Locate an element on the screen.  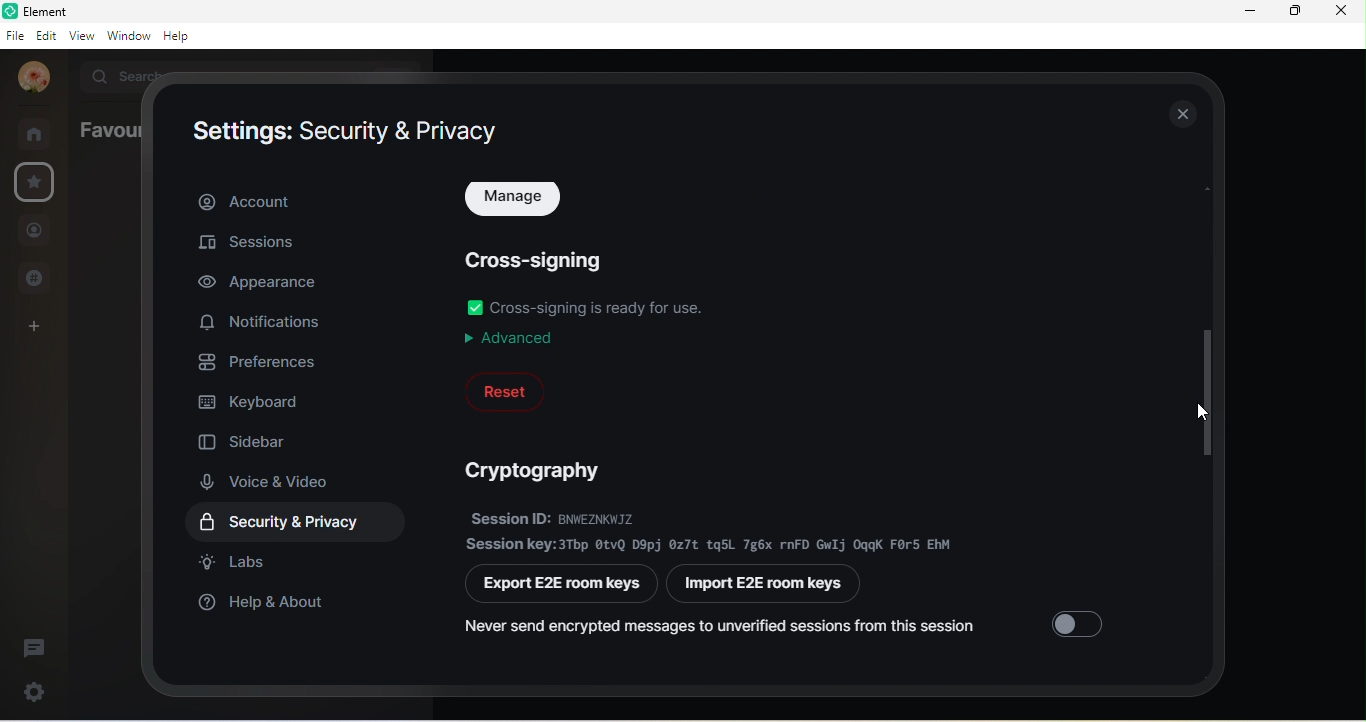
keyboard is located at coordinates (255, 399).